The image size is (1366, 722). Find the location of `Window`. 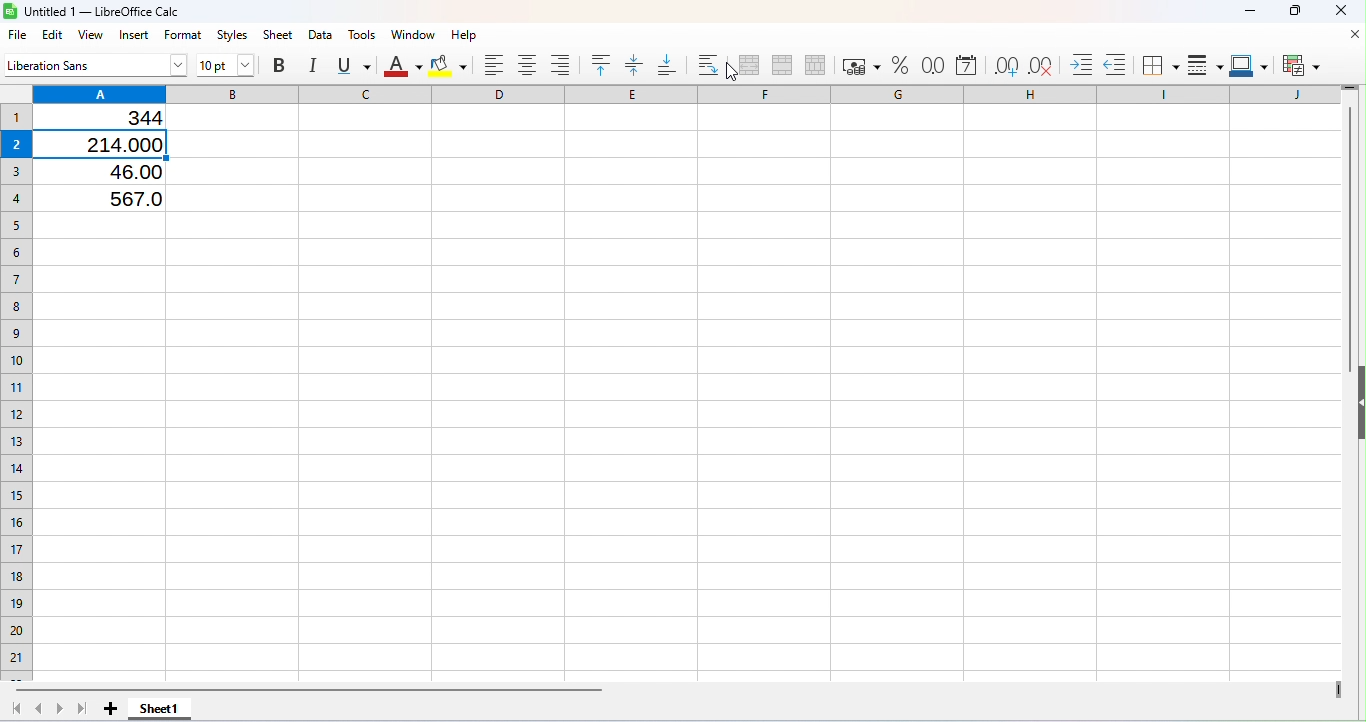

Window is located at coordinates (411, 34).